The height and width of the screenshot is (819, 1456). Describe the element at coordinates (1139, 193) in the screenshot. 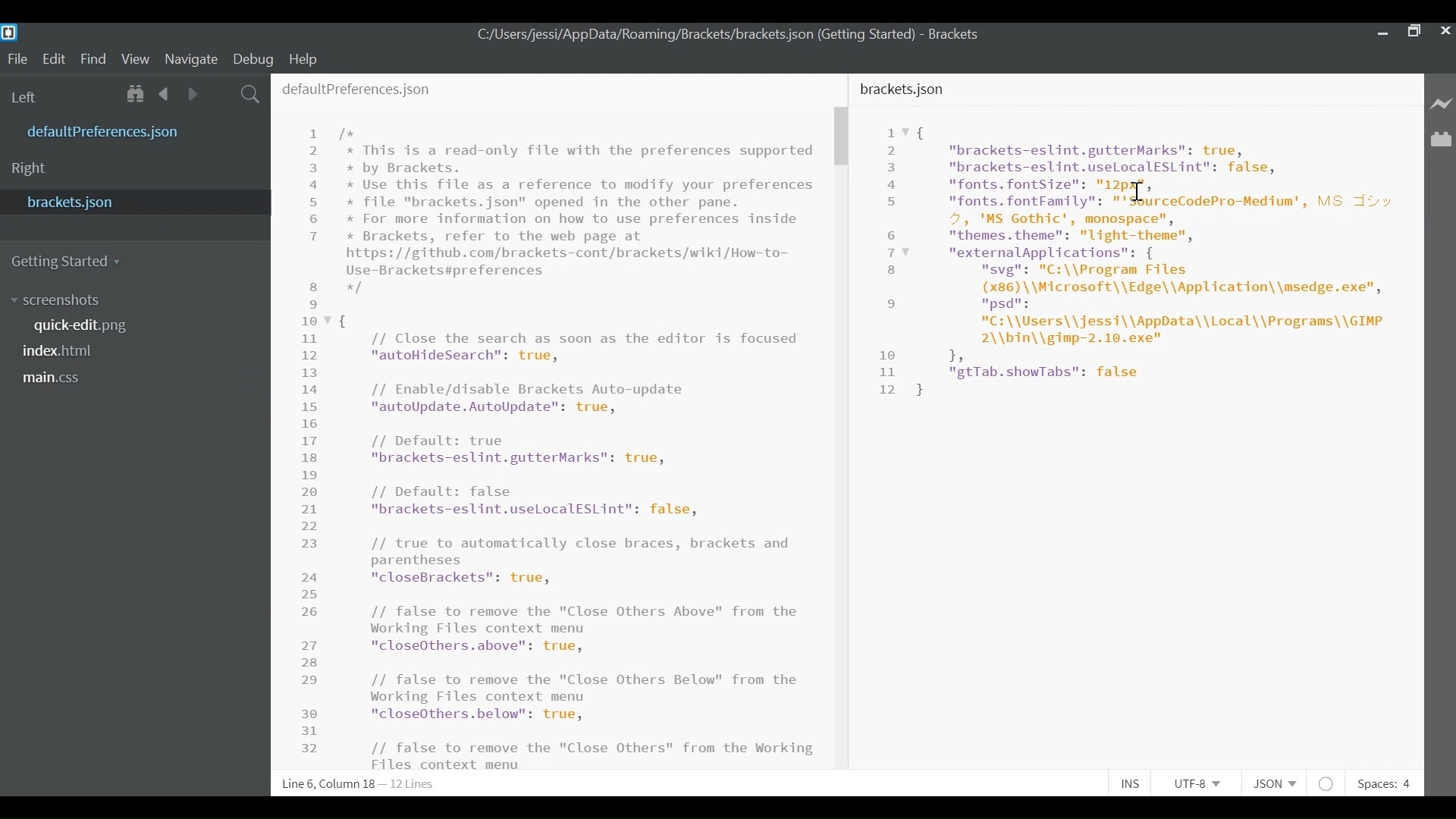

I see `cursor` at that location.